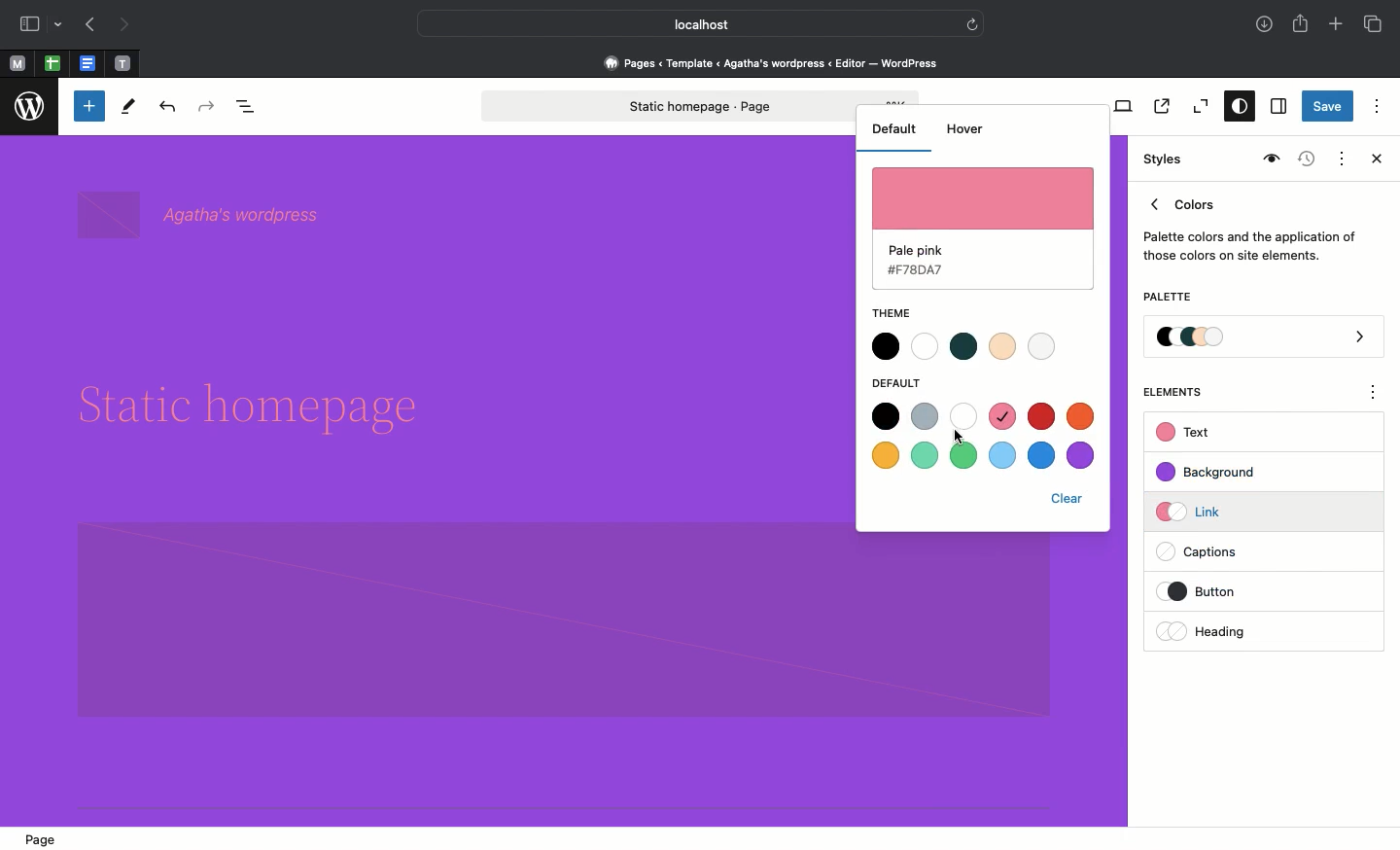 The width and height of the screenshot is (1400, 850). What do you see at coordinates (778, 62) in the screenshot?
I see `Pages < Template <Agatha's wordpress < editor - wordpress` at bounding box center [778, 62].